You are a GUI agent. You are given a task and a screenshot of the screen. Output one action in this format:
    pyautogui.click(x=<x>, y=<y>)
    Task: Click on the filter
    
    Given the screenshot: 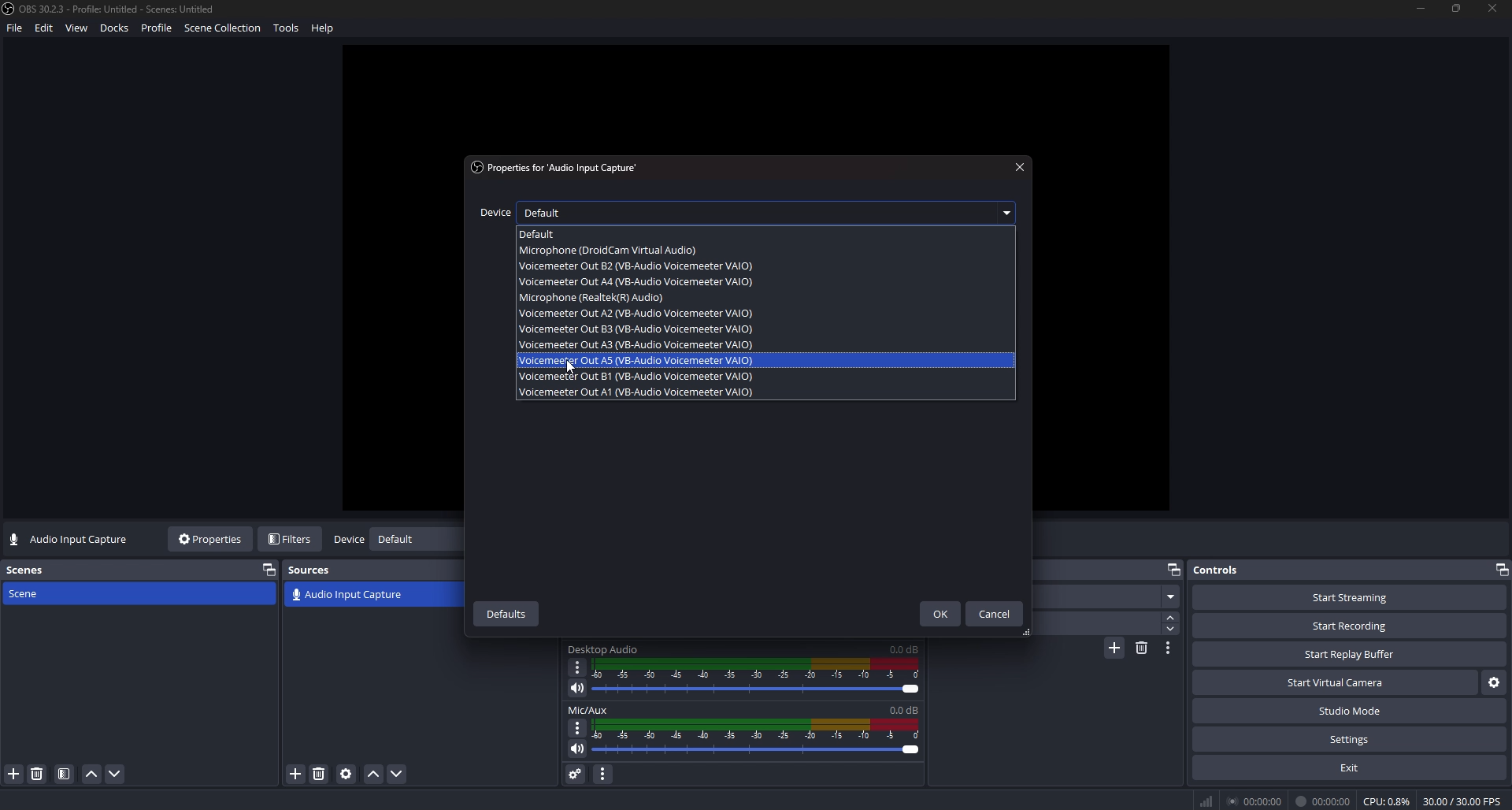 What is the action you would take?
    pyautogui.click(x=65, y=775)
    